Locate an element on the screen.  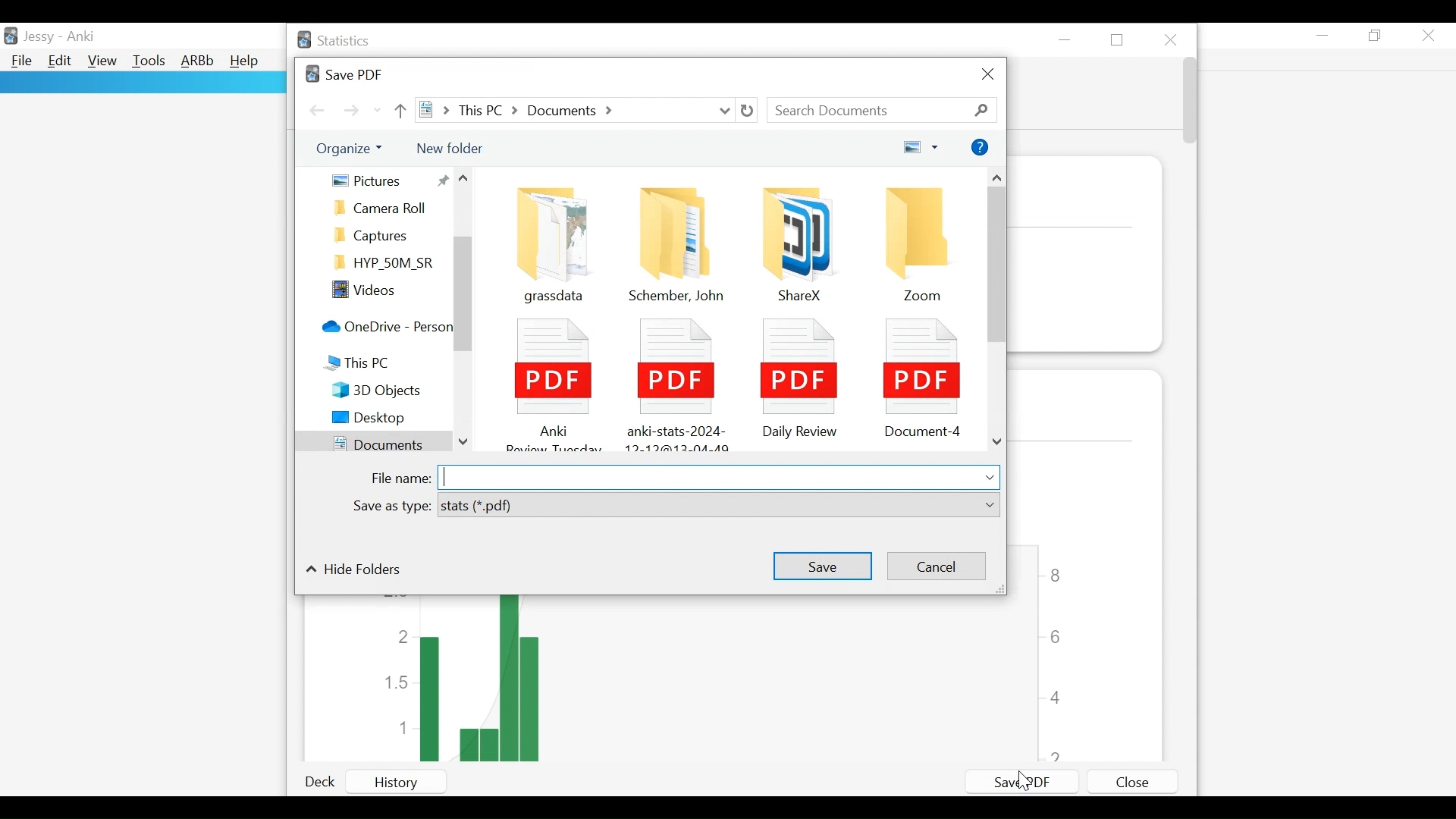
Go up is located at coordinates (402, 110).